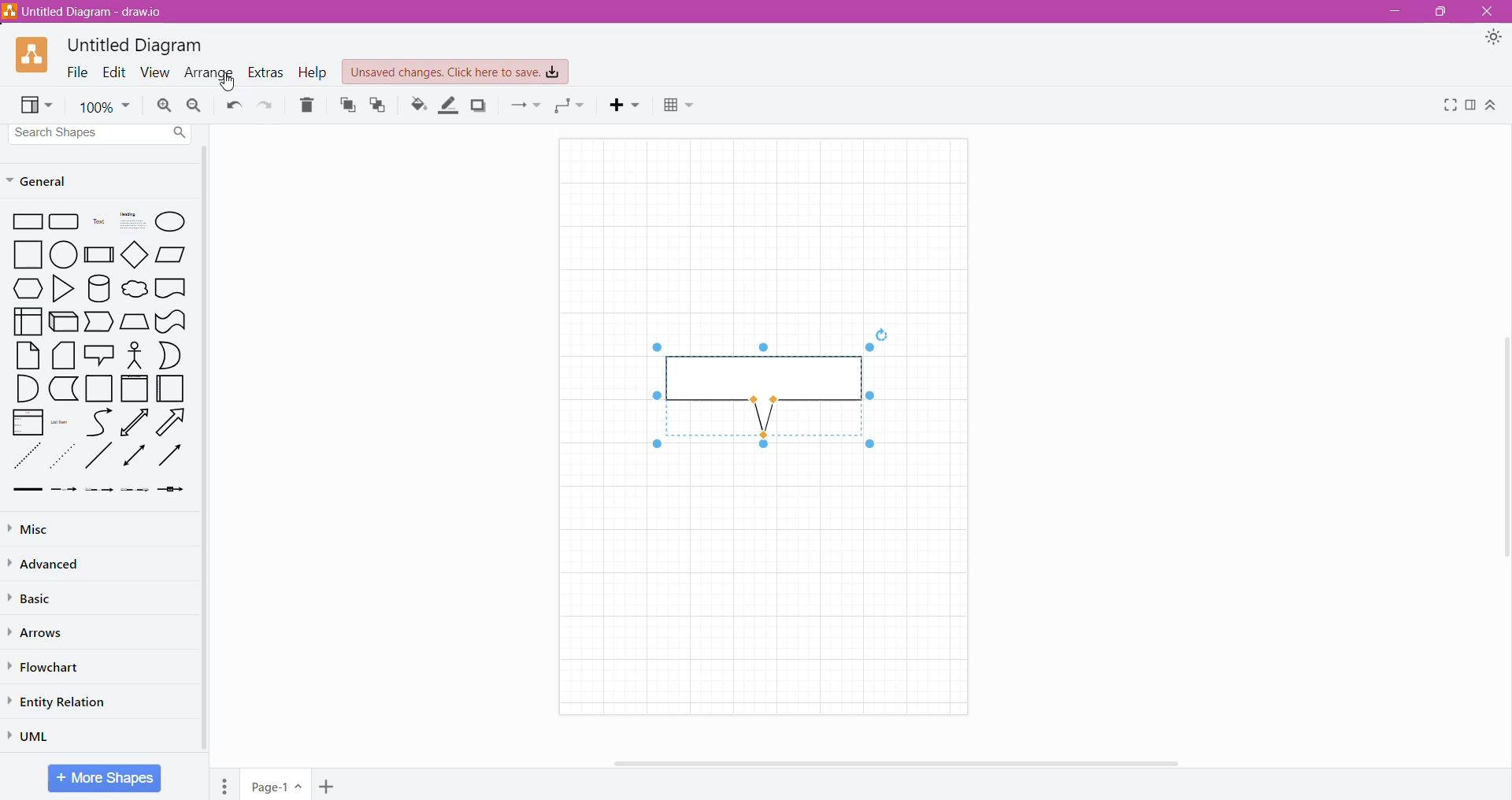 The image size is (1512, 800). I want to click on Stick Figure, so click(135, 354).